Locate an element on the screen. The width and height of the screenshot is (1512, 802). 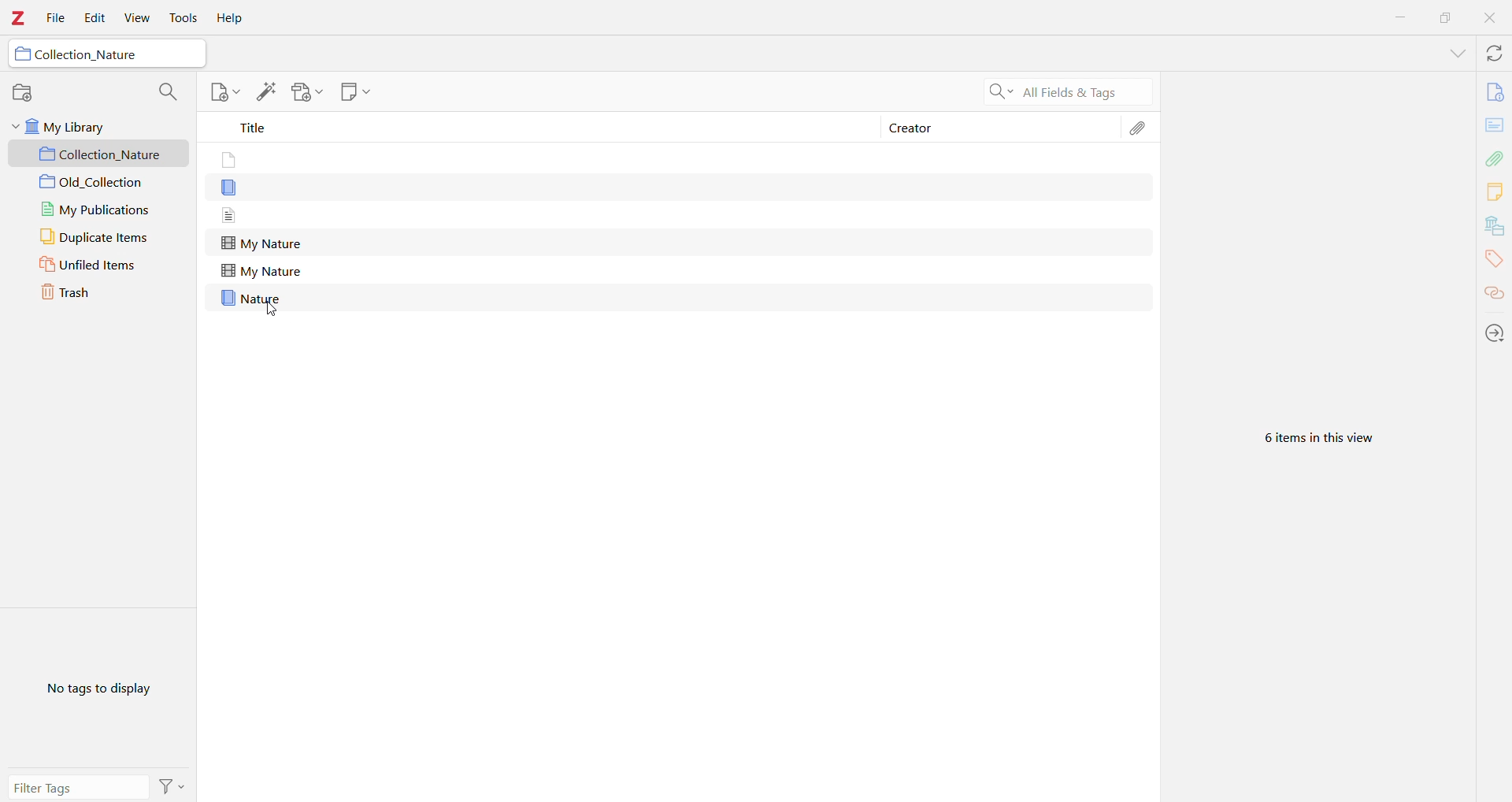
My Publications is located at coordinates (98, 211).